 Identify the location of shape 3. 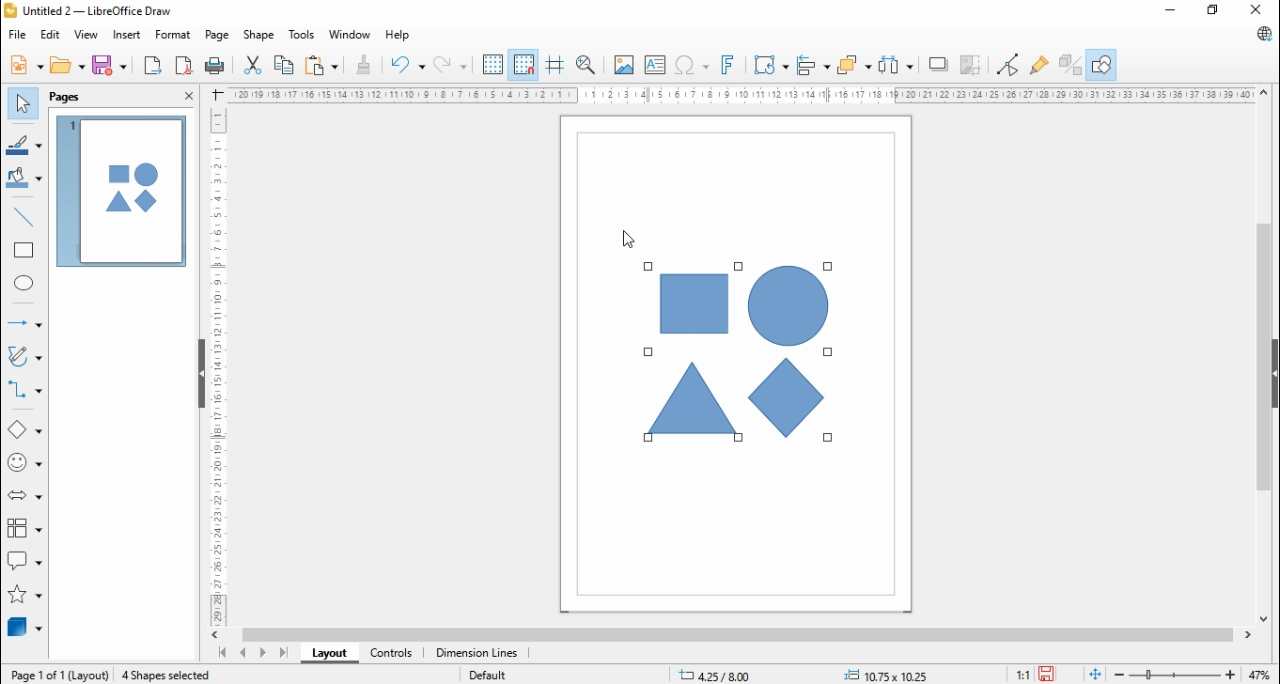
(787, 307).